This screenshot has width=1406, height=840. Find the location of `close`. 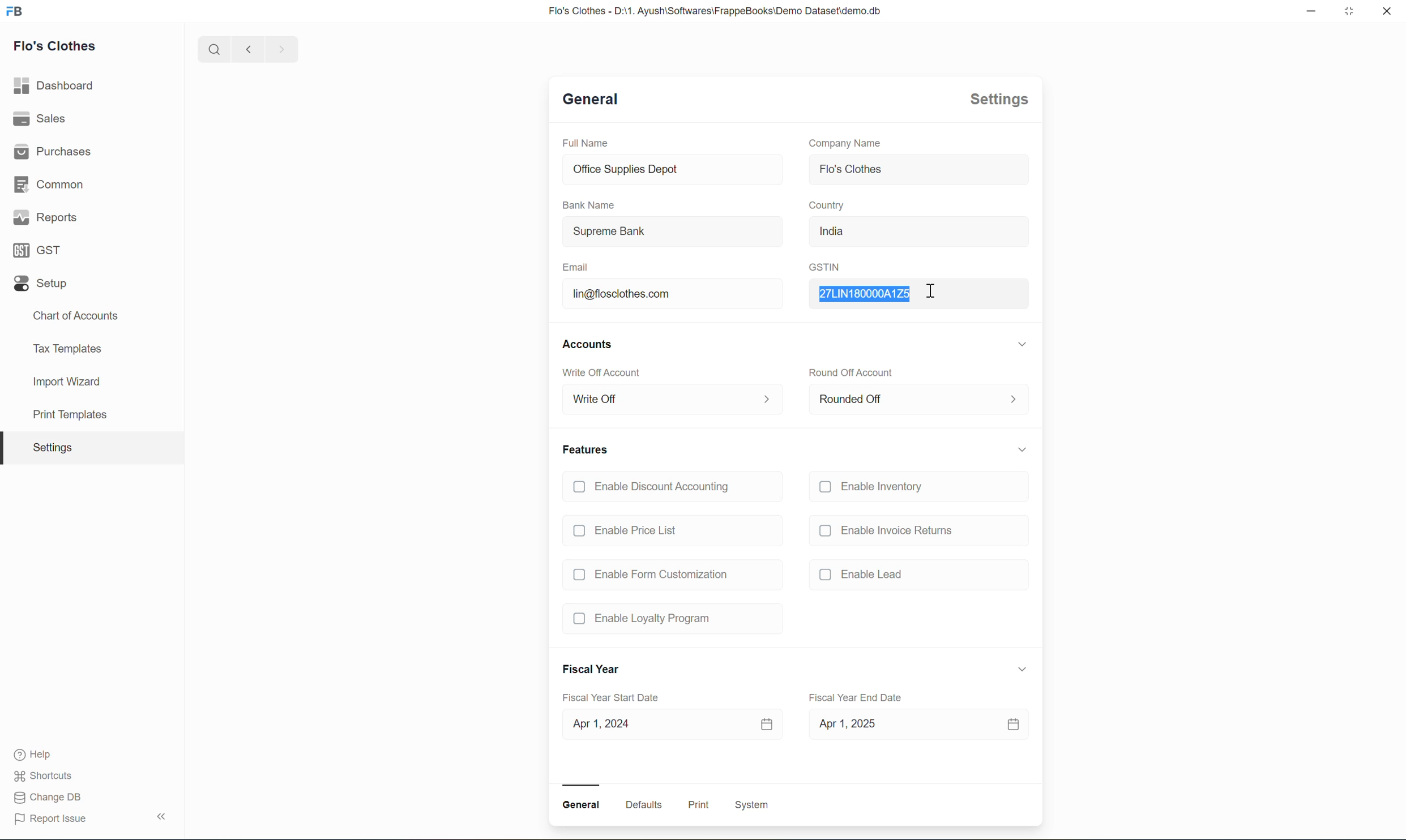

close is located at coordinates (1386, 10).